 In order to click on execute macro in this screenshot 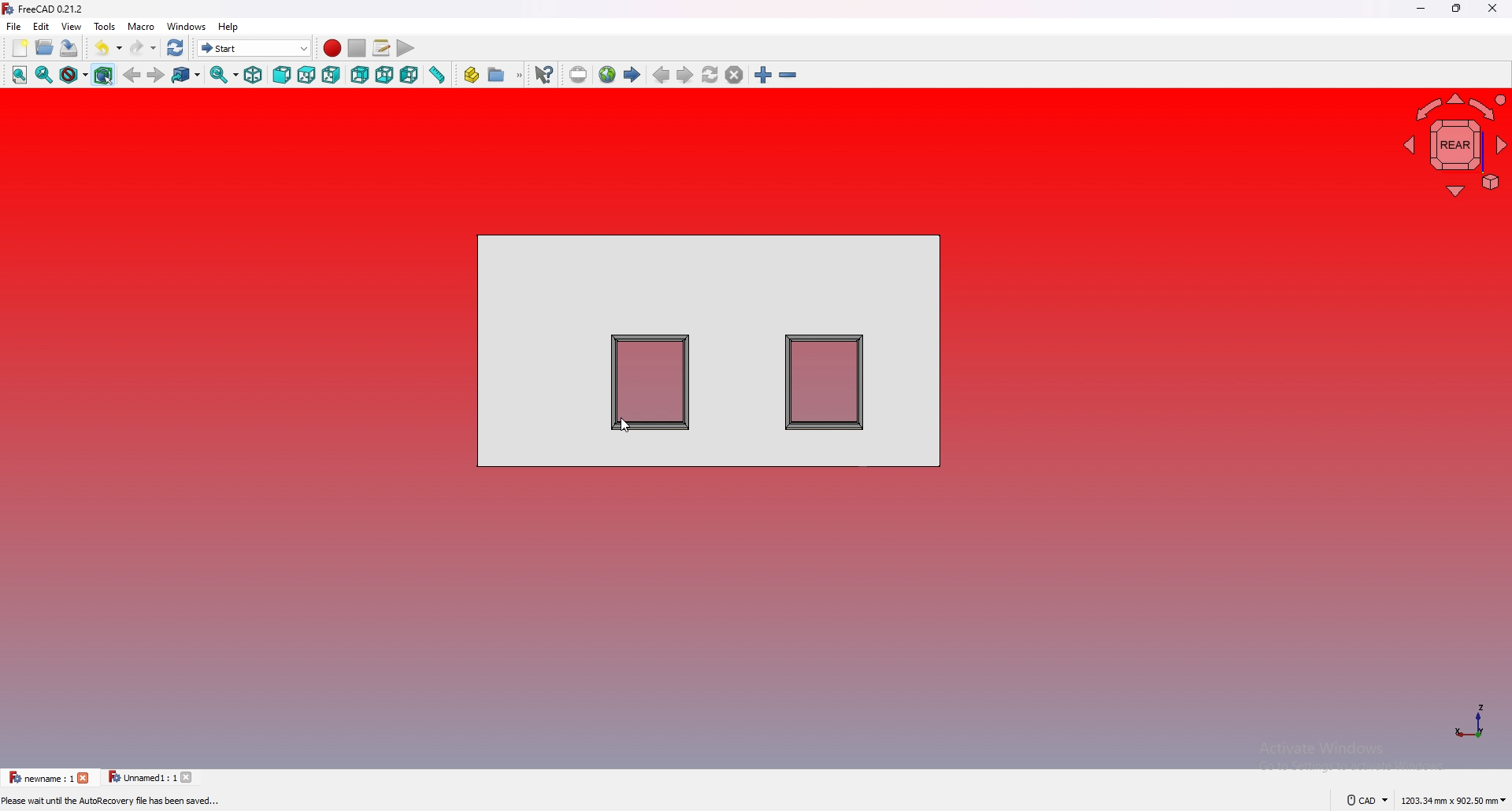, I will do `click(404, 47)`.